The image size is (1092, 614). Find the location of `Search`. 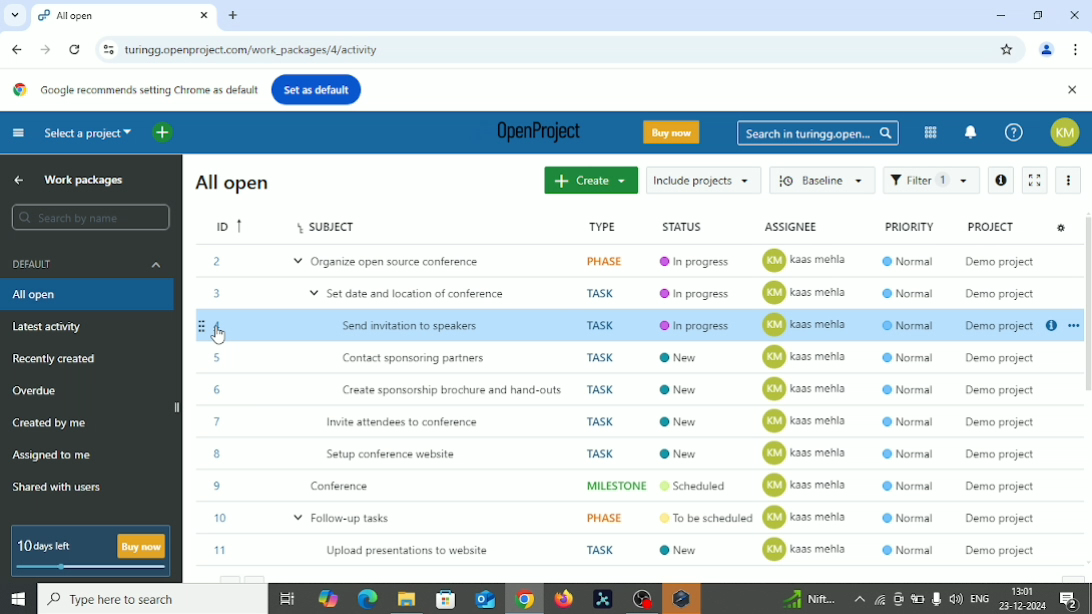

Search is located at coordinates (152, 599).